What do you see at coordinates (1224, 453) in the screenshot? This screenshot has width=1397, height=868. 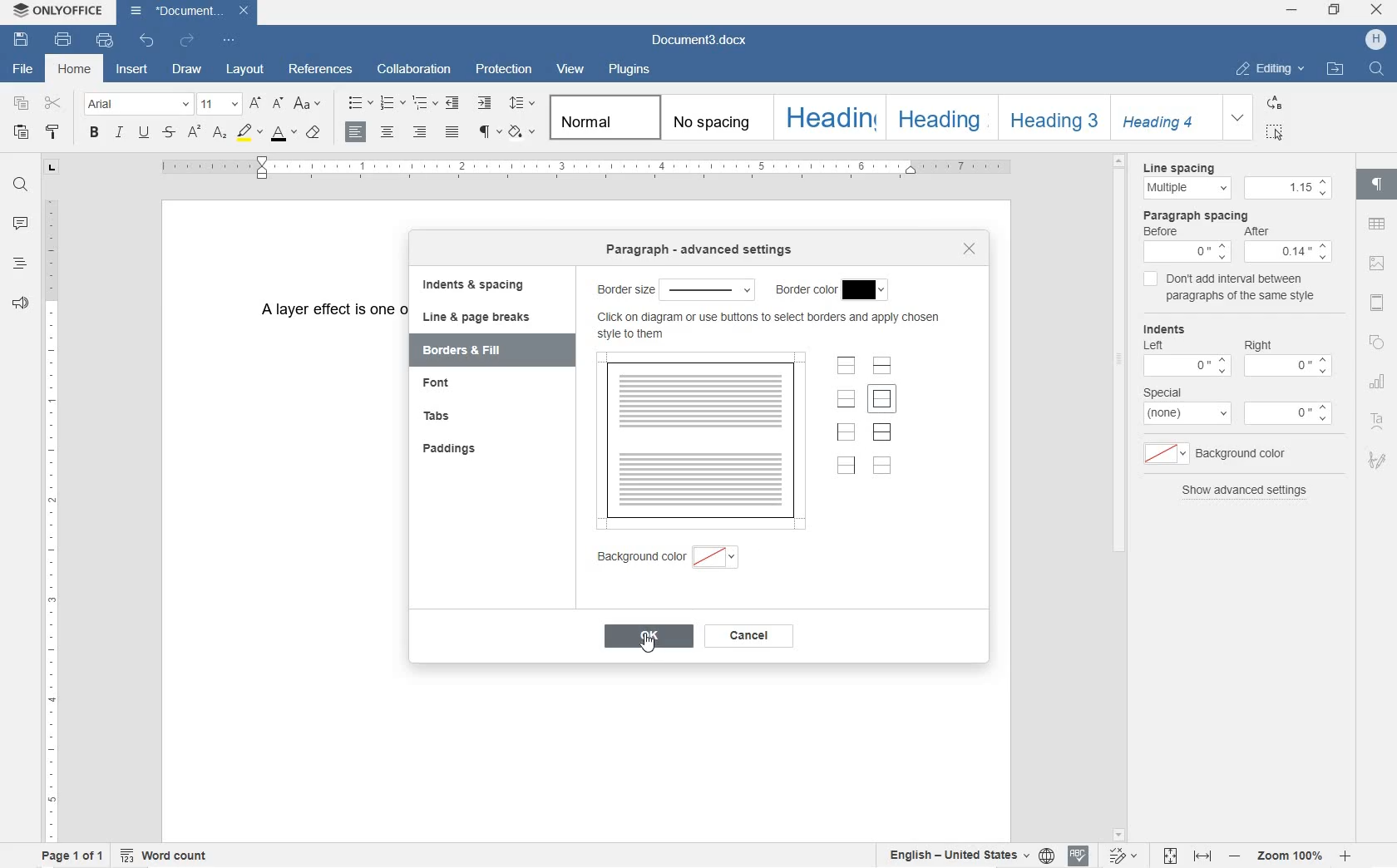 I see `background color` at bounding box center [1224, 453].